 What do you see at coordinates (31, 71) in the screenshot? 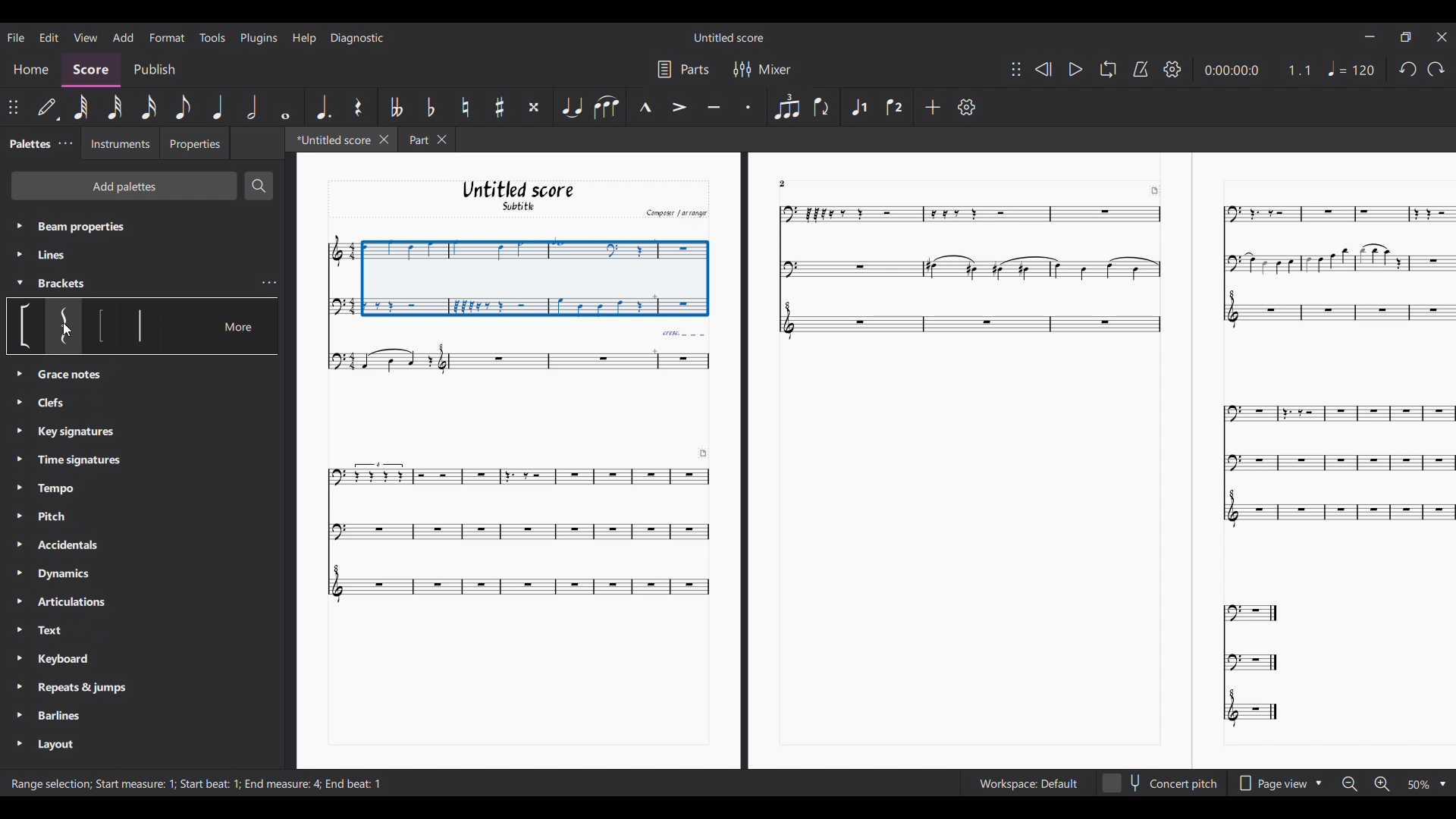
I see `Home ` at bounding box center [31, 71].